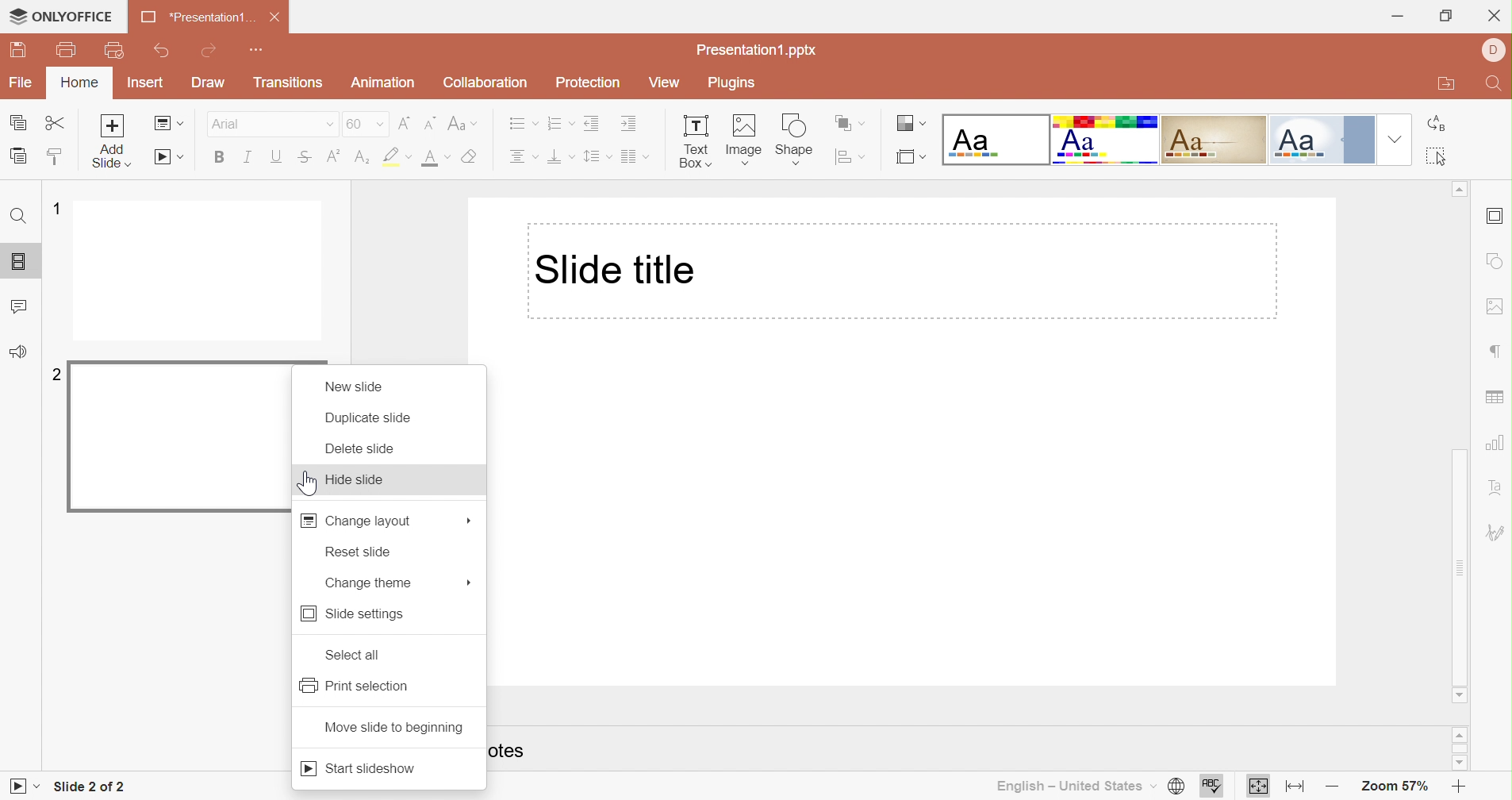 Image resolution: width=1512 pixels, height=800 pixels. Describe the element at coordinates (21, 787) in the screenshot. I see `` at that location.